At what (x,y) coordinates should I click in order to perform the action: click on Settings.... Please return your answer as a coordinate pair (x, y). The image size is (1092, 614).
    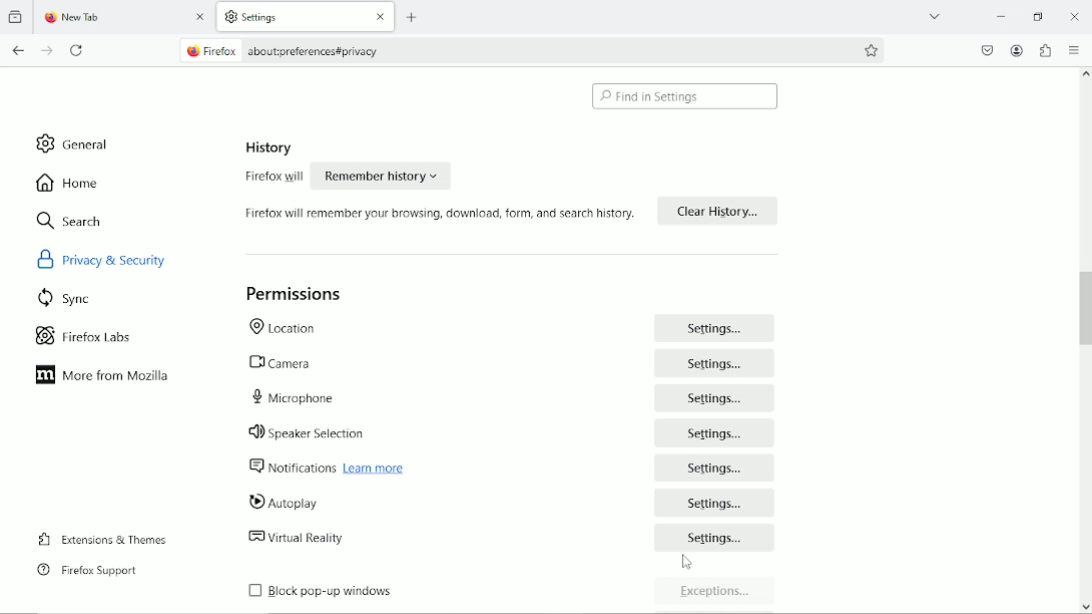
    Looking at the image, I should click on (716, 437).